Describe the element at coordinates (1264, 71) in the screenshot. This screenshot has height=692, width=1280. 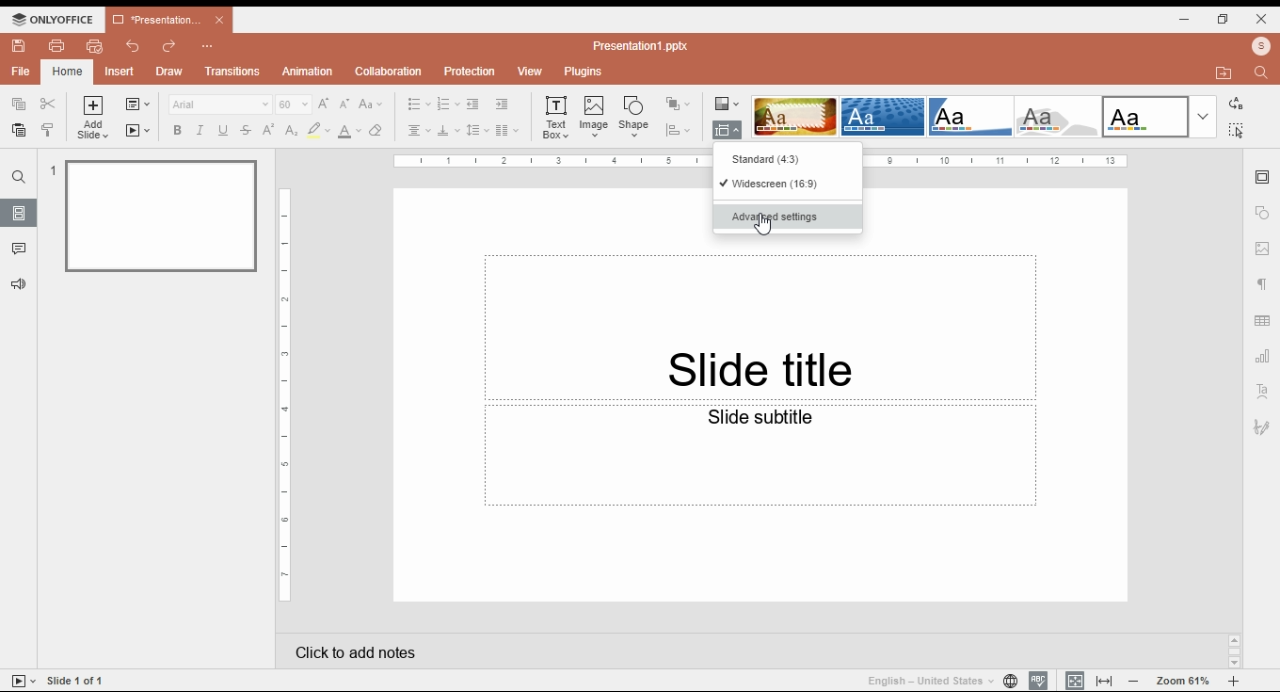
I see `find` at that location.